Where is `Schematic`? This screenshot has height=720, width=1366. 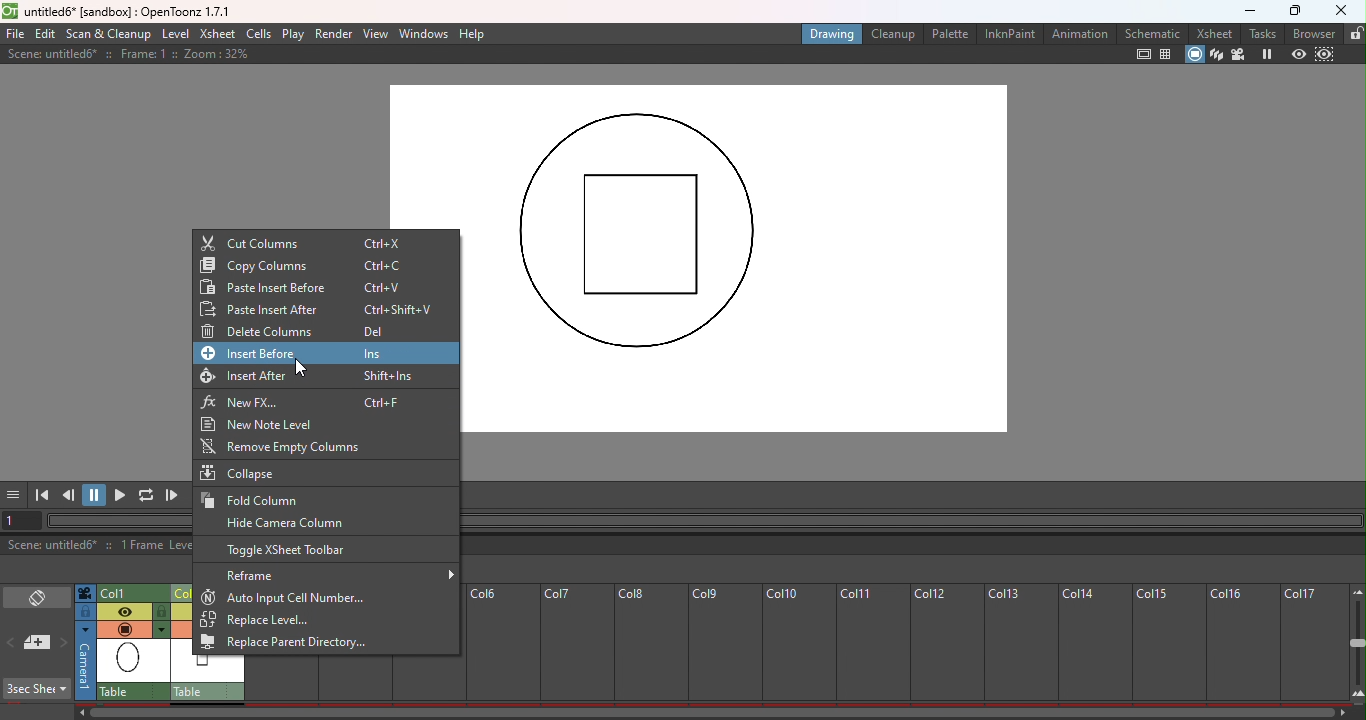 Schematic is located at coordinates (1152, 32).